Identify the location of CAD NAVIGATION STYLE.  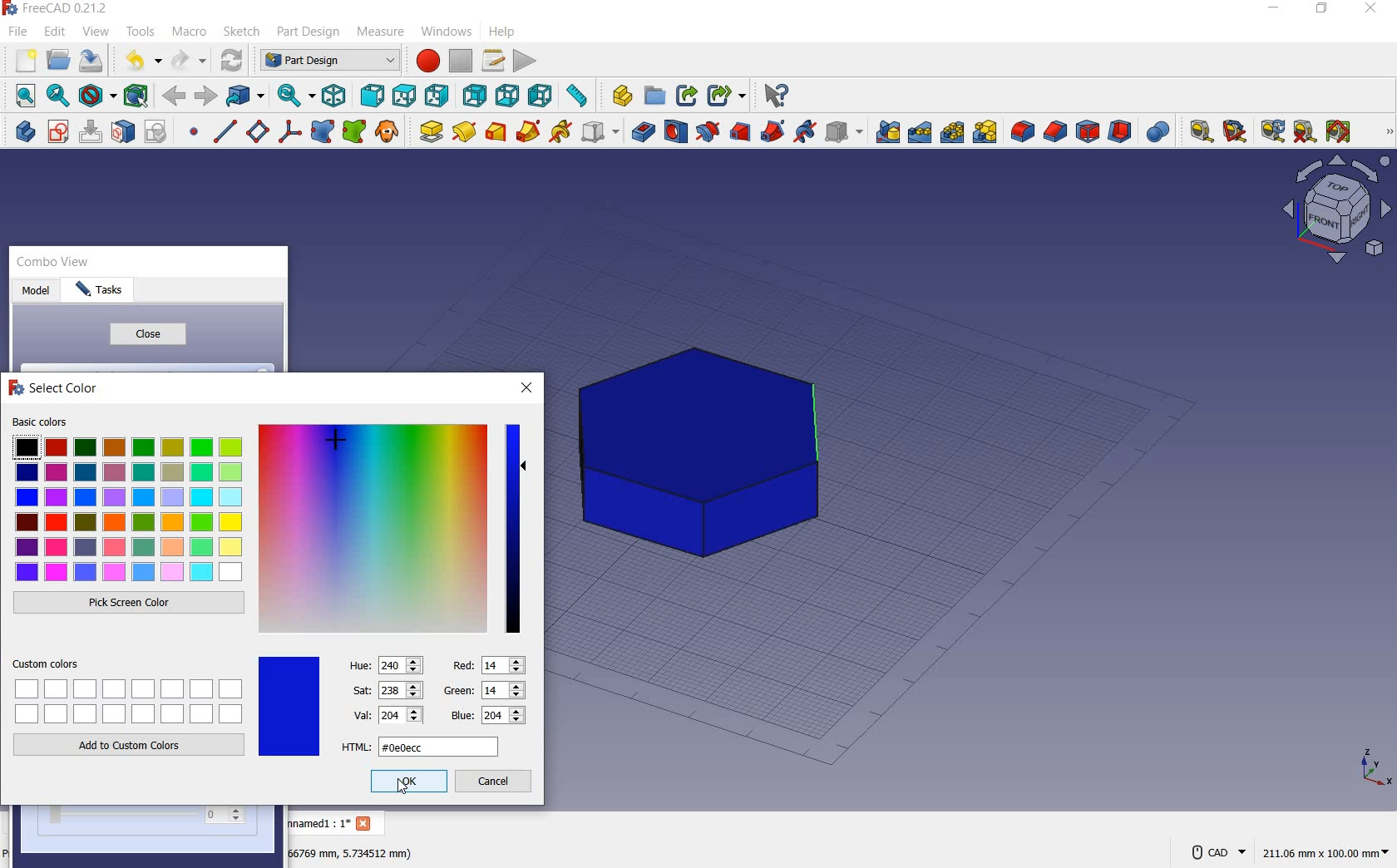
(1214, 852).